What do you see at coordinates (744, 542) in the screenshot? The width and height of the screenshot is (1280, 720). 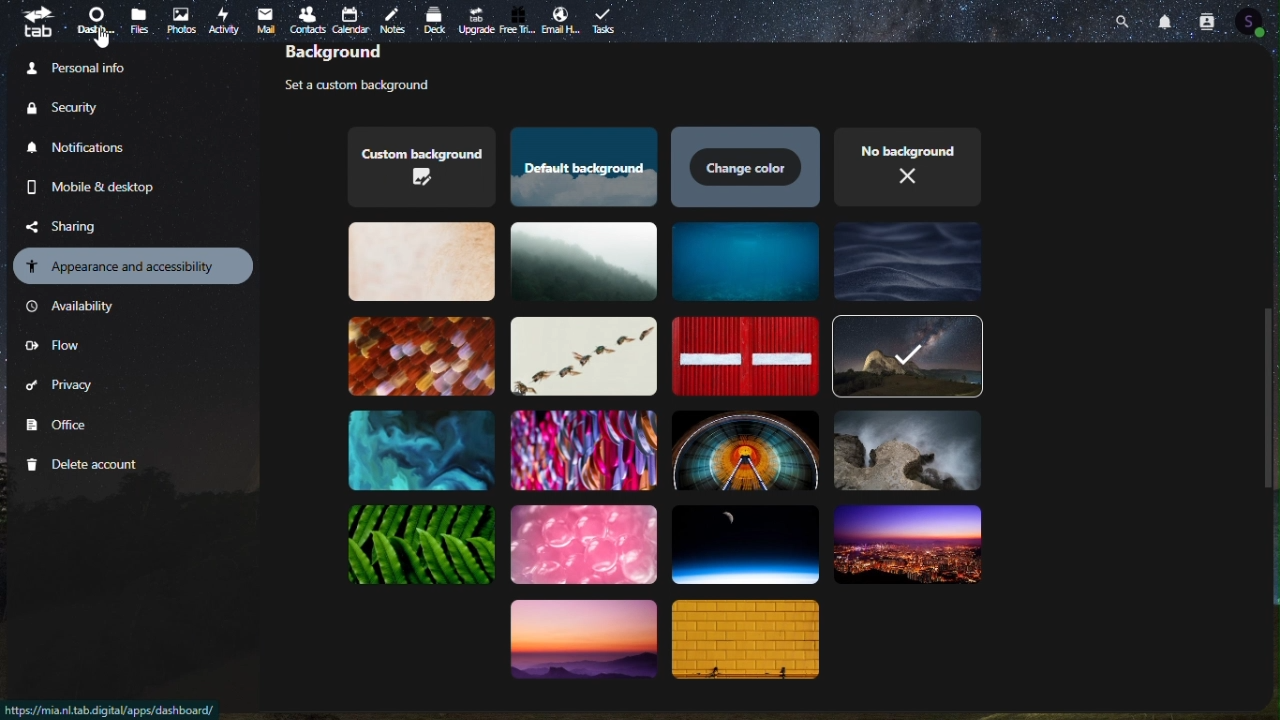 I see `Themes` at bounding box center [744, 542].